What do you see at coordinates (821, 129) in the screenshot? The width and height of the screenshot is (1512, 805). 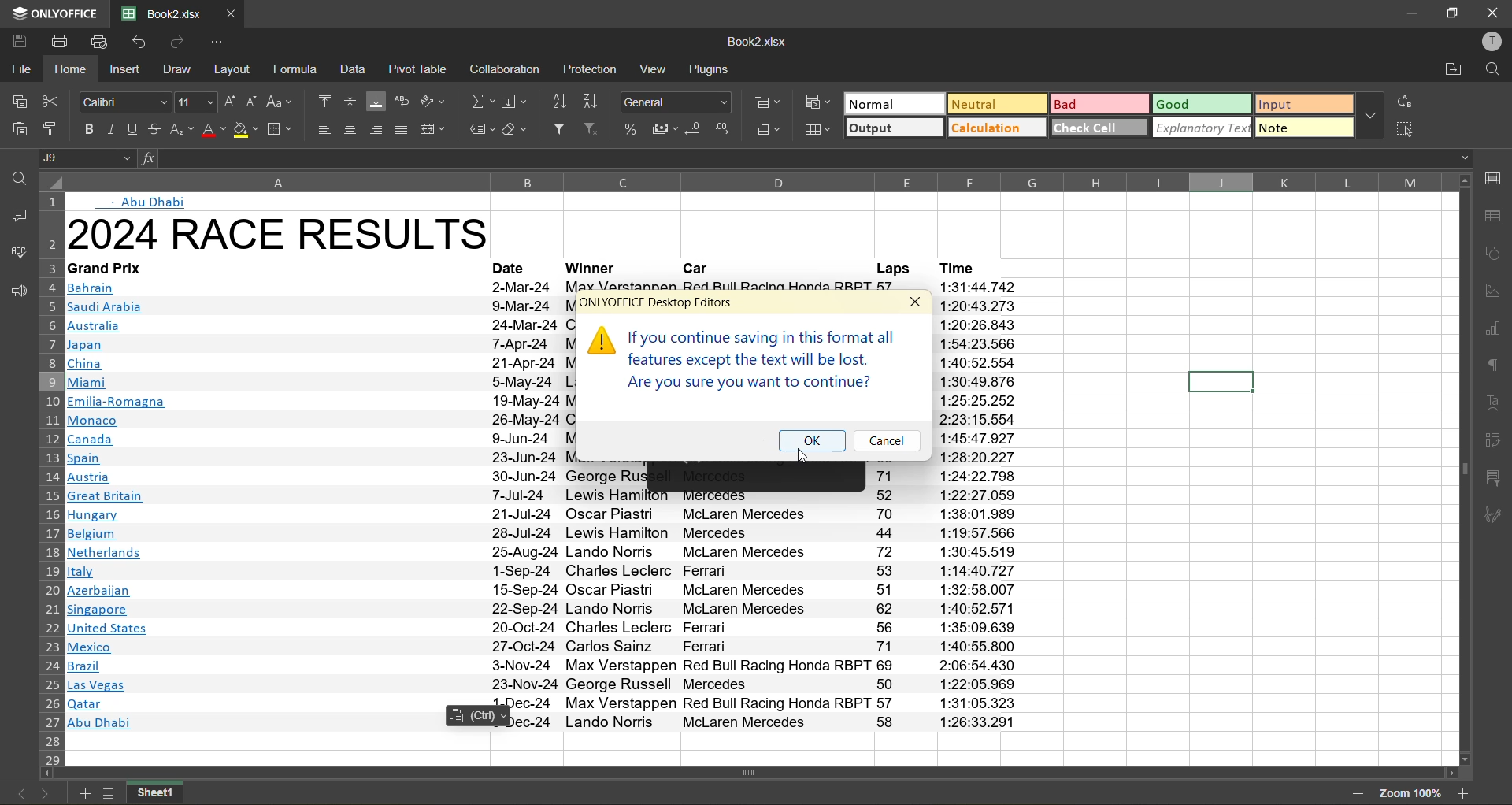 I see `format as table` at bounding box center [821, 129].